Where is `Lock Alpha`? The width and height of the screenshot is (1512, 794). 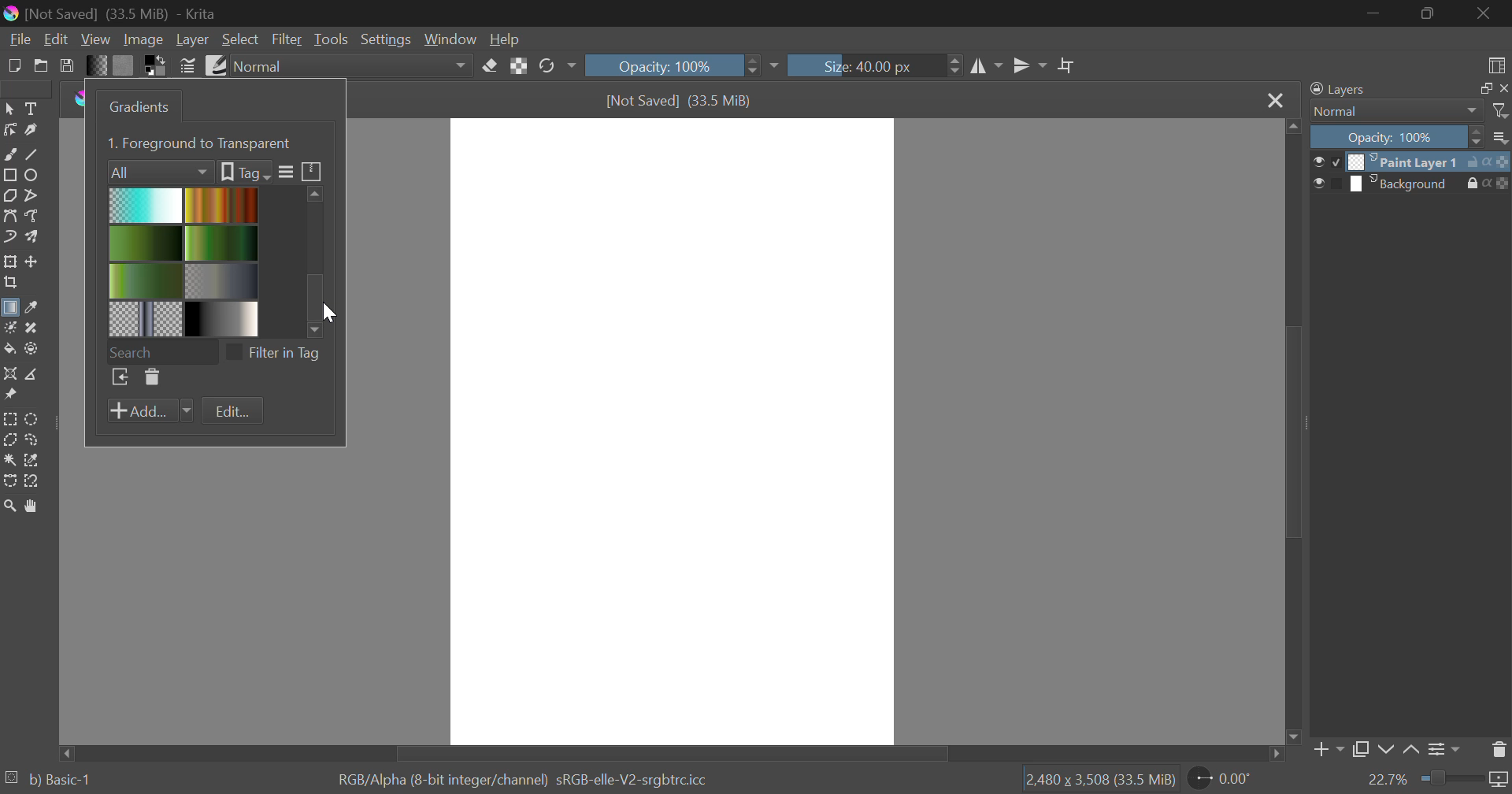 Lock Alpha is located at coordinates (518, 66).